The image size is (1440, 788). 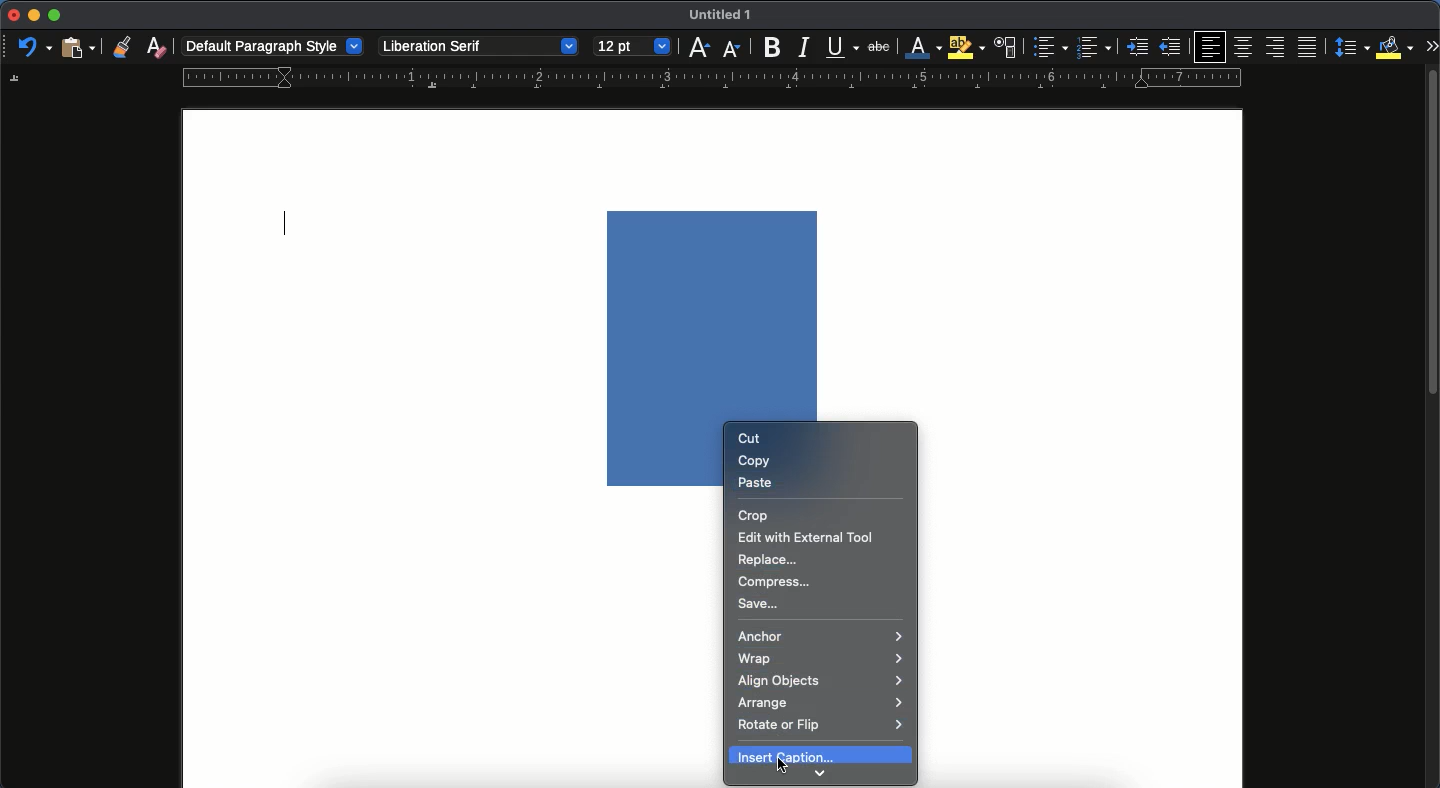 I want to click on typing, so click(x=289, y=225).